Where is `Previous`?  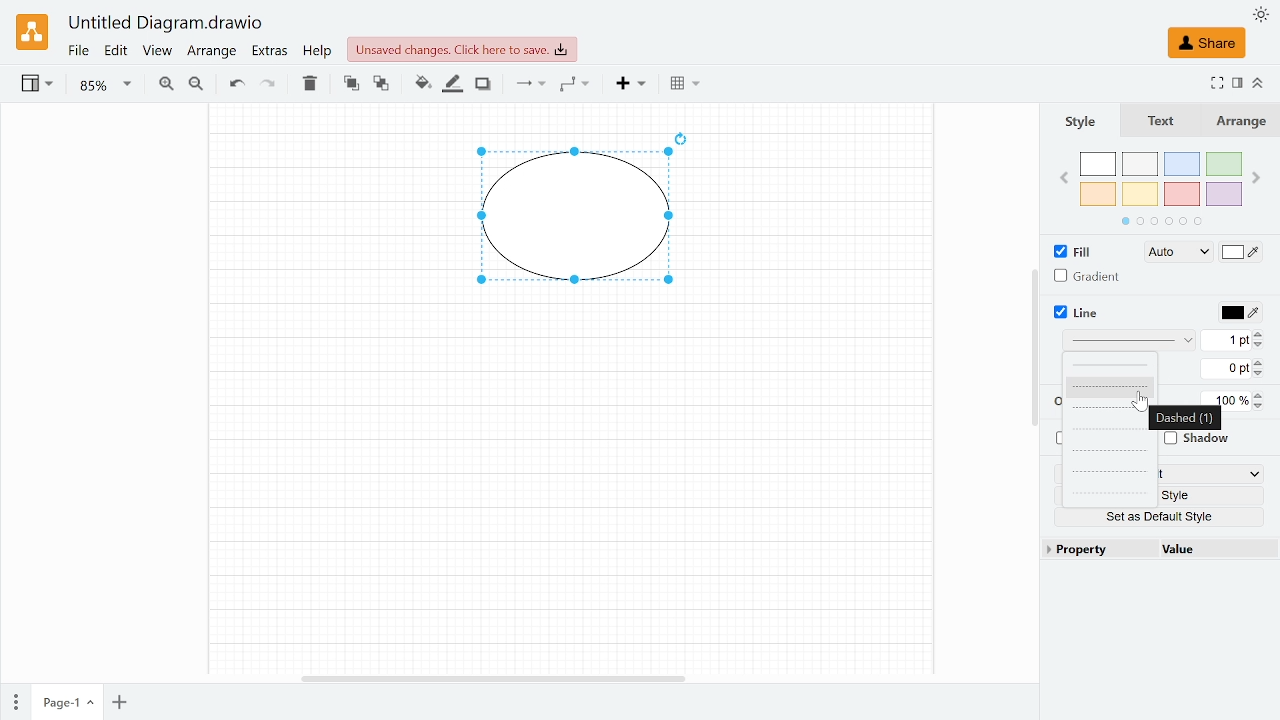
Previous is located at coordinates (1064, 175).